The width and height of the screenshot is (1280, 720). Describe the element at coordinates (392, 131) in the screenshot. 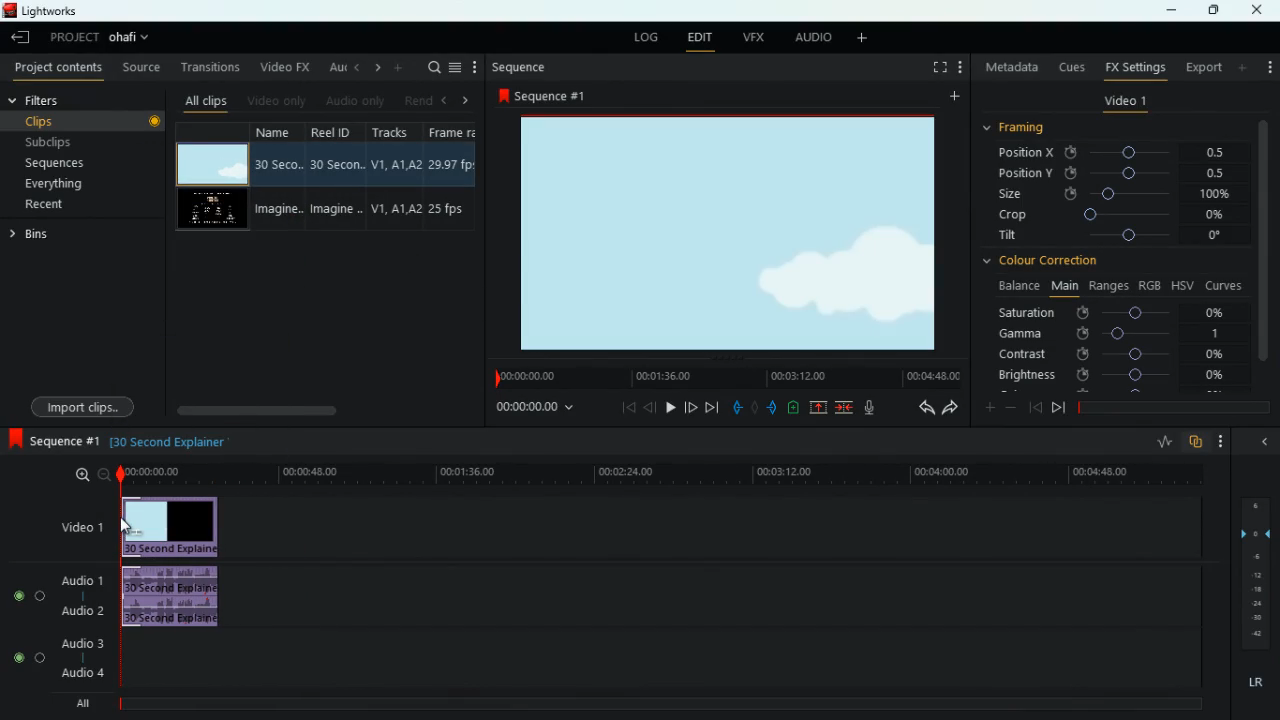

I see `tracks` at that location.